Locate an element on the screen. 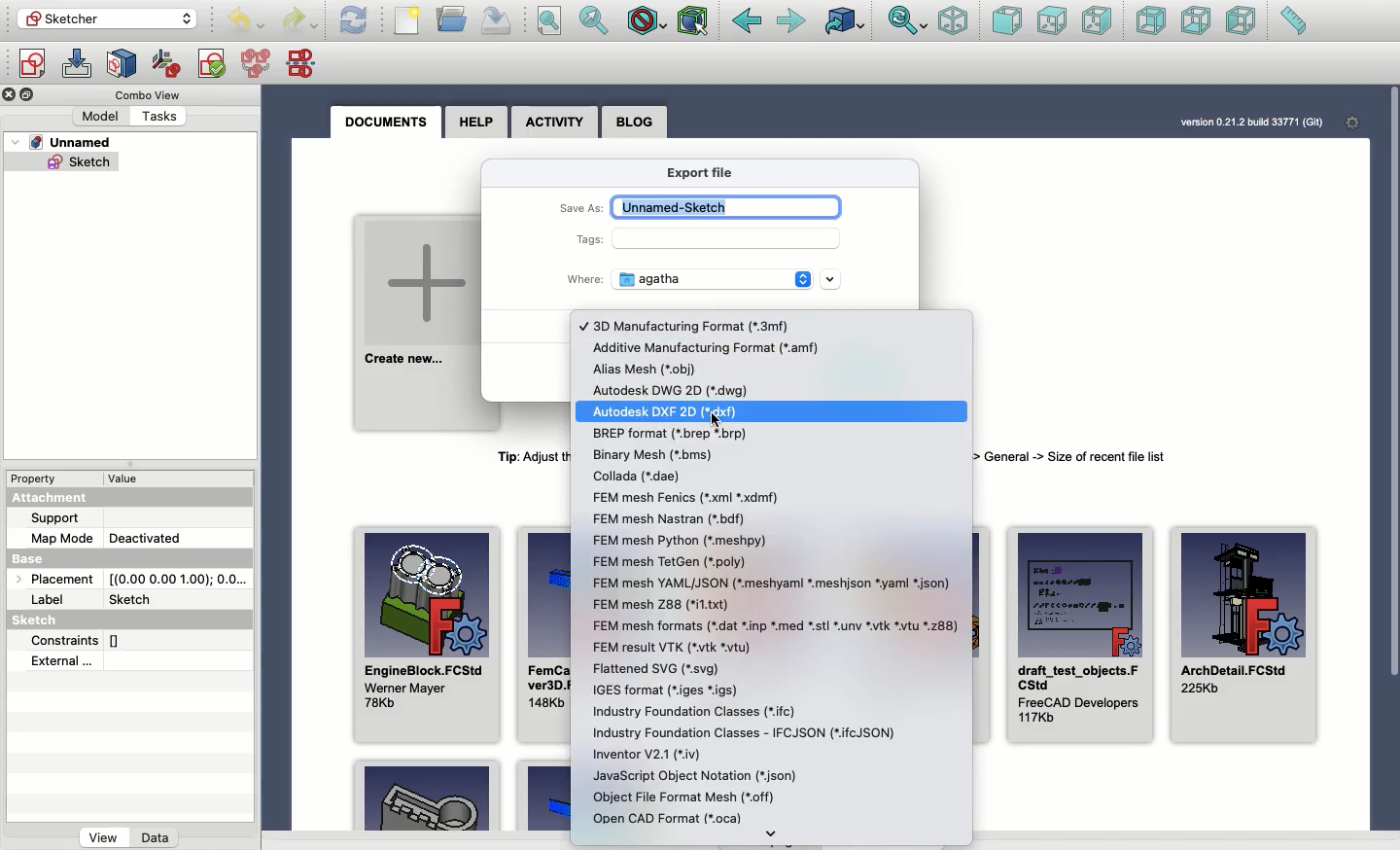 The height and width of the screenshot is (850, 1400). Undo is located at coordinates (301, 20).